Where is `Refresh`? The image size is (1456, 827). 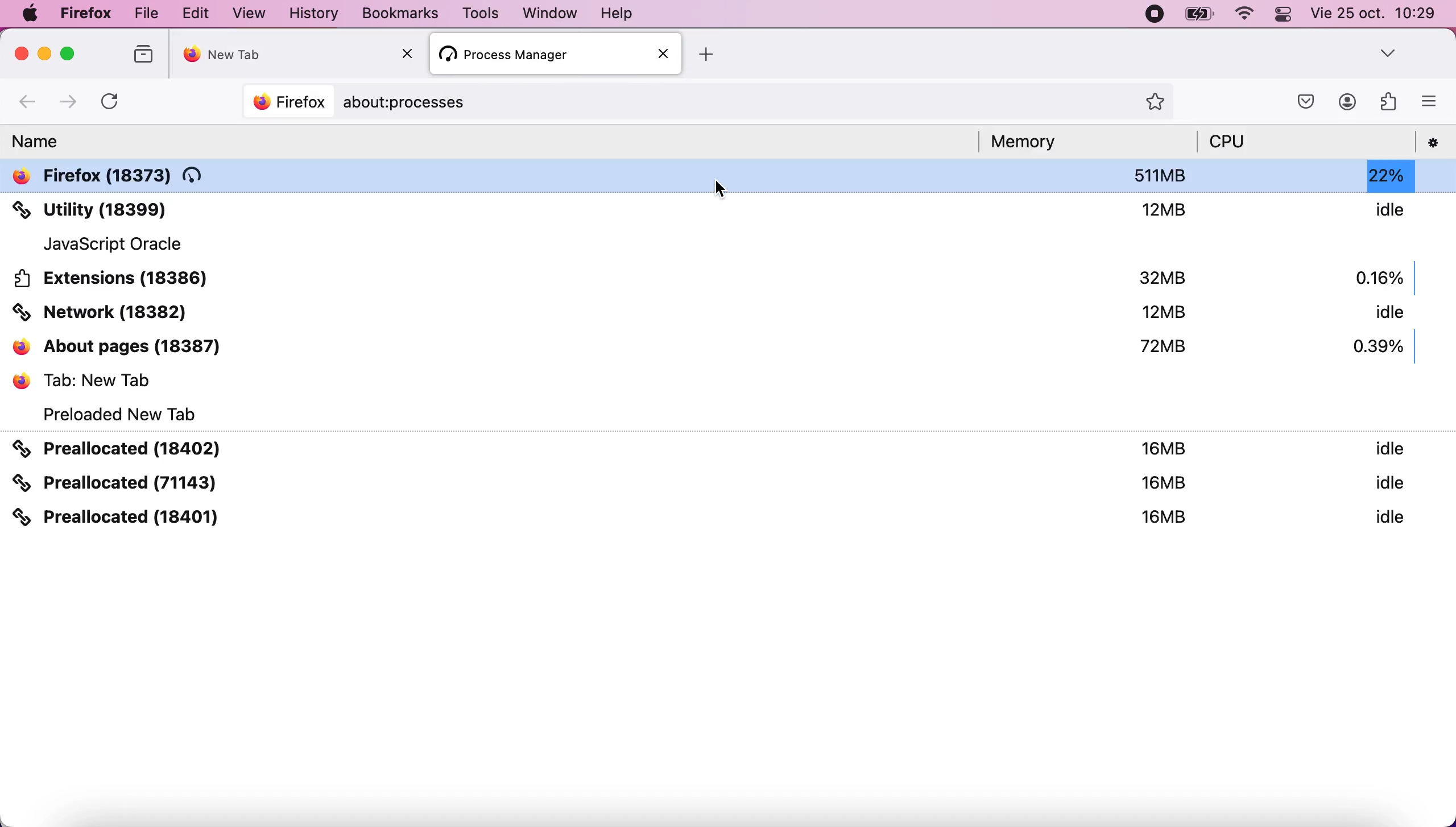
Refresh is located at coordinates (109, 103).